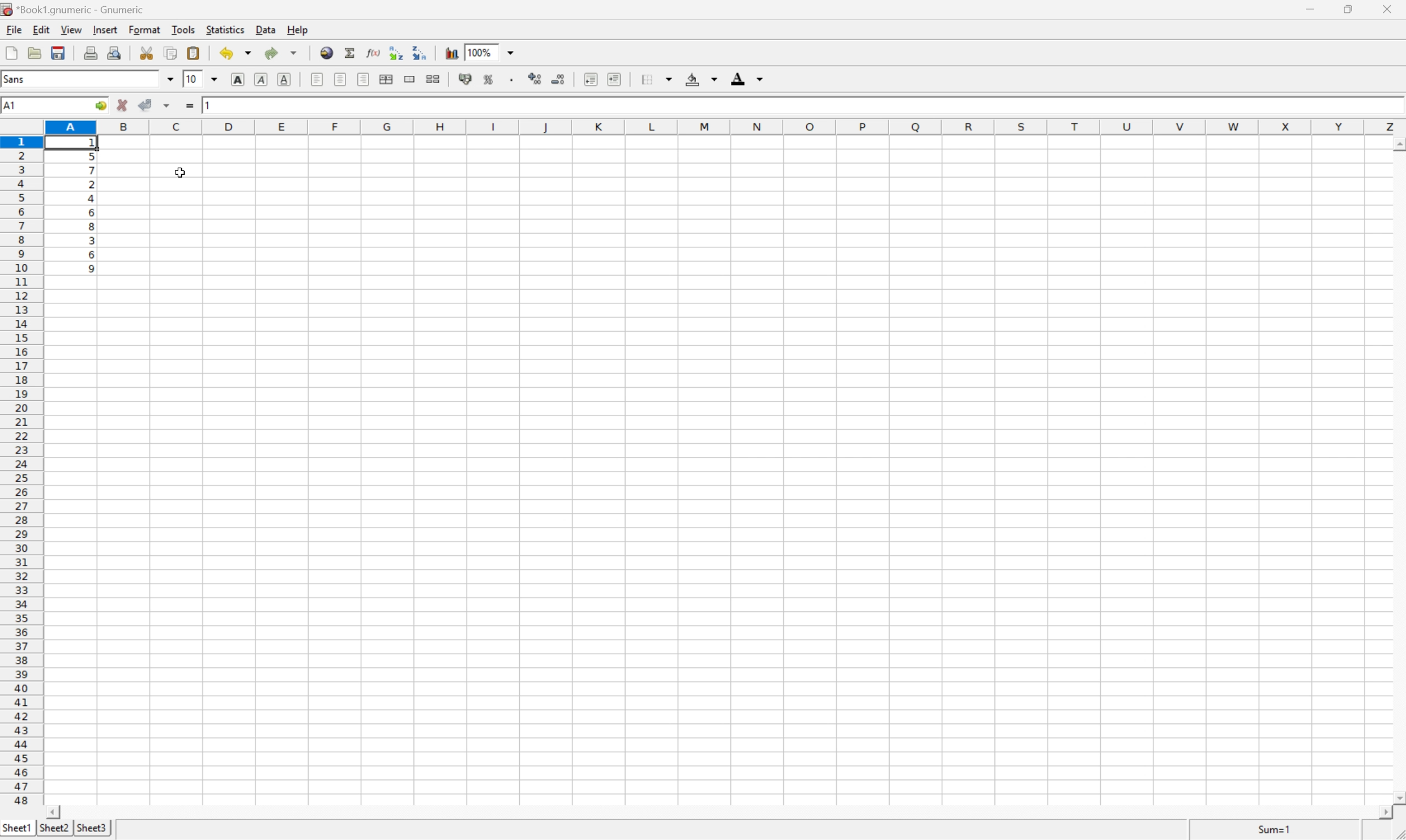  Describe the element at coordinates (169, 106) in the screenshot. I see `accept changes across selection` at that location.